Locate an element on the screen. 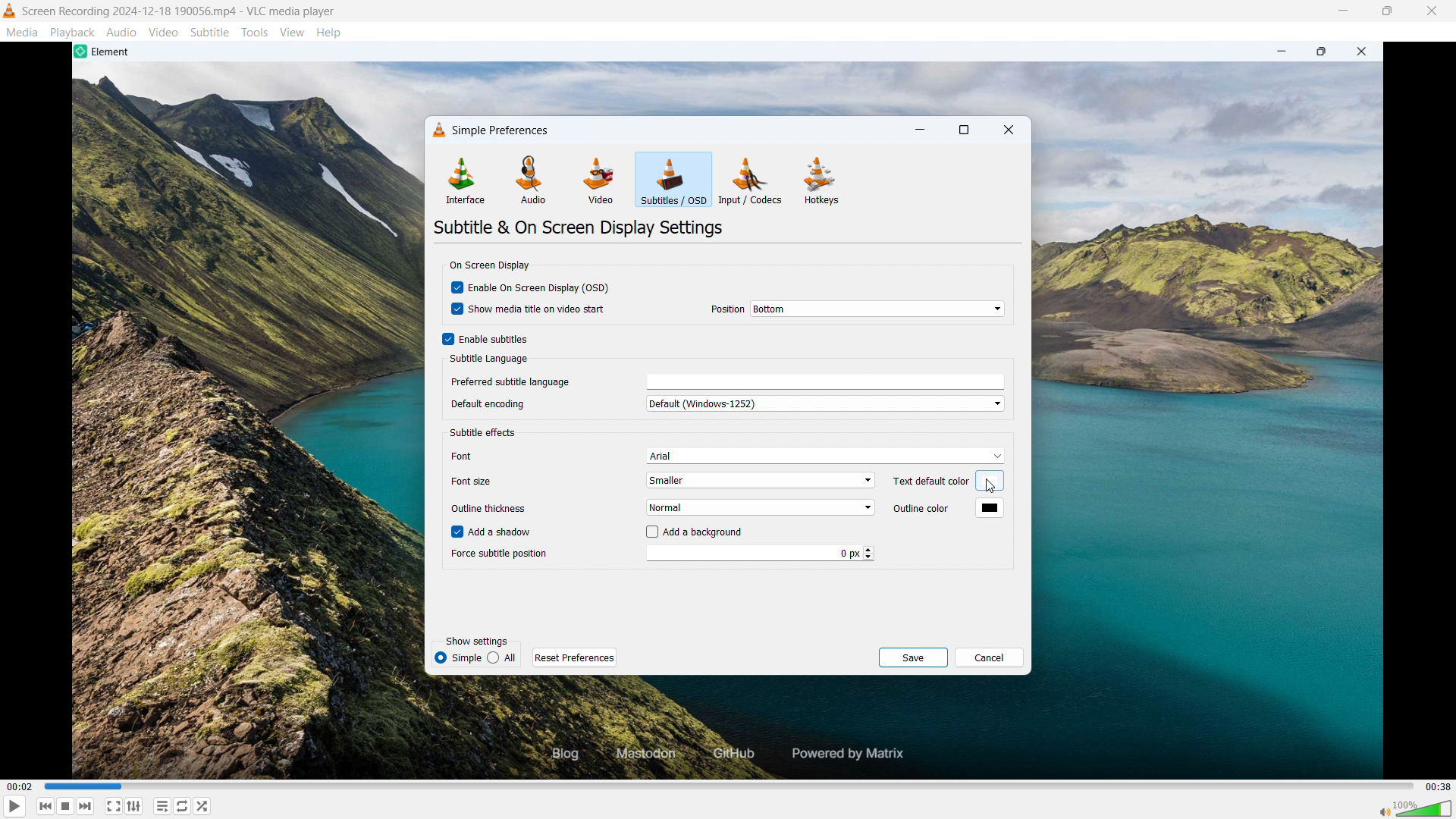 The image size is (1456, 819). Video  is located at coordinates (599, 180).